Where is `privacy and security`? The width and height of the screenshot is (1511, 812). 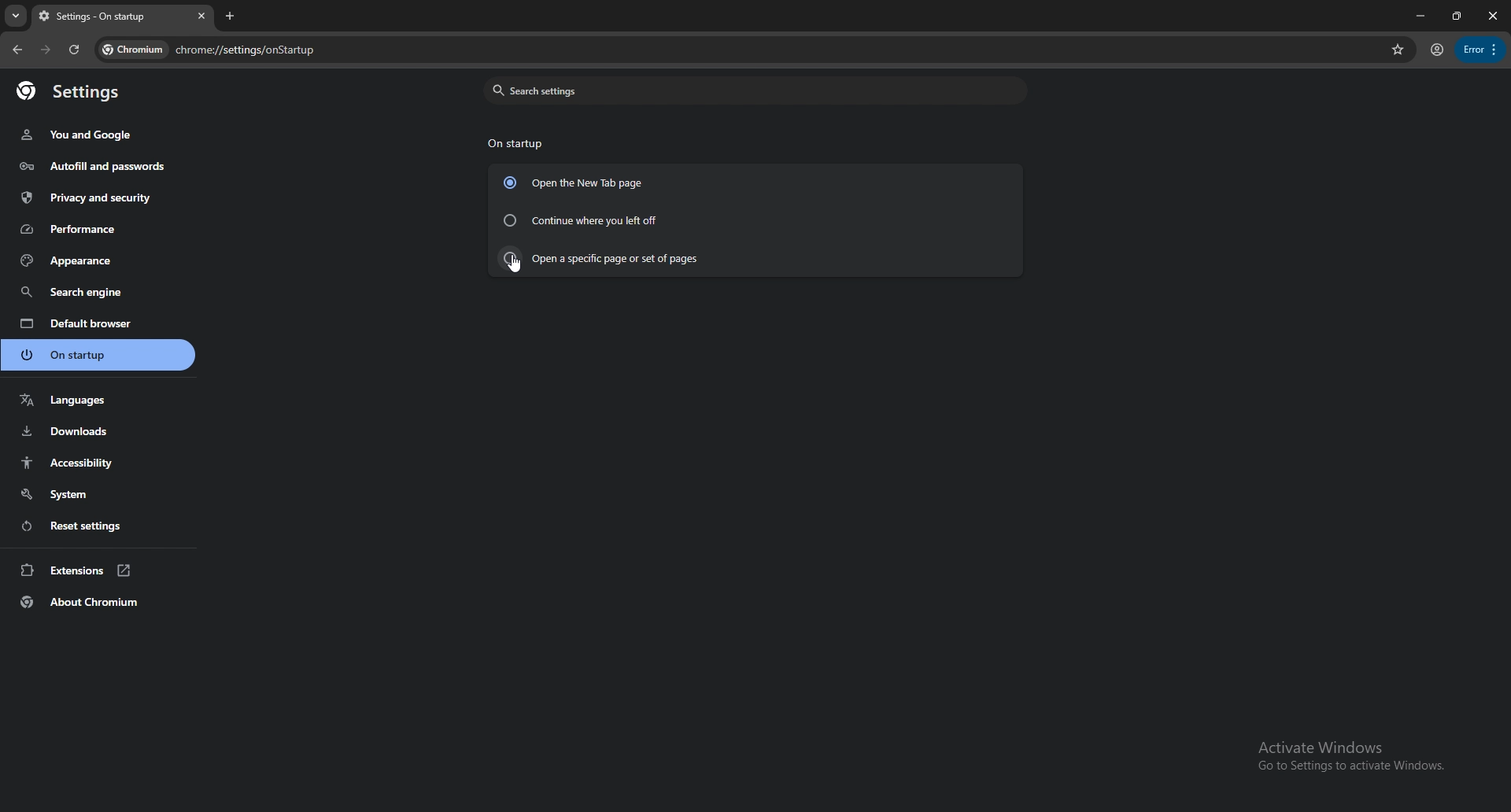 privacy and security is located at coordinates (91, 197).